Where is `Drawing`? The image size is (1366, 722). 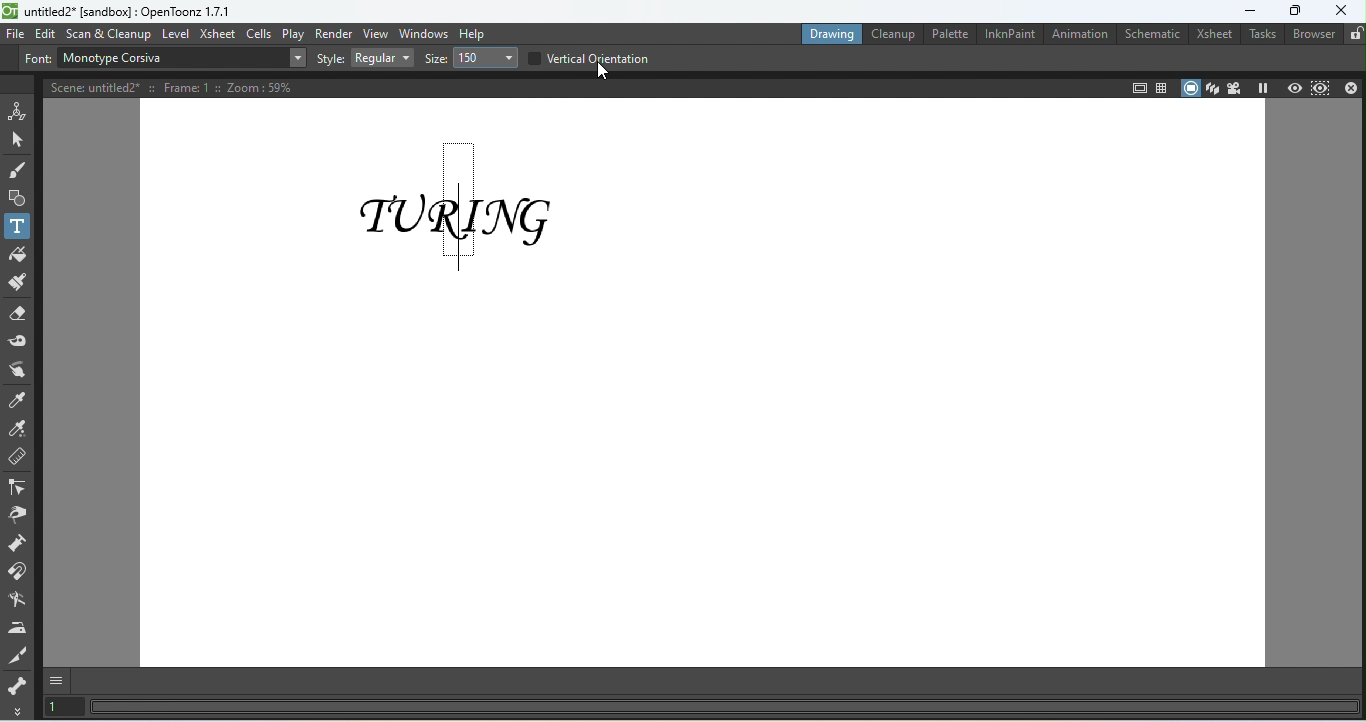 Drawing is located at coordinates (829, 34).